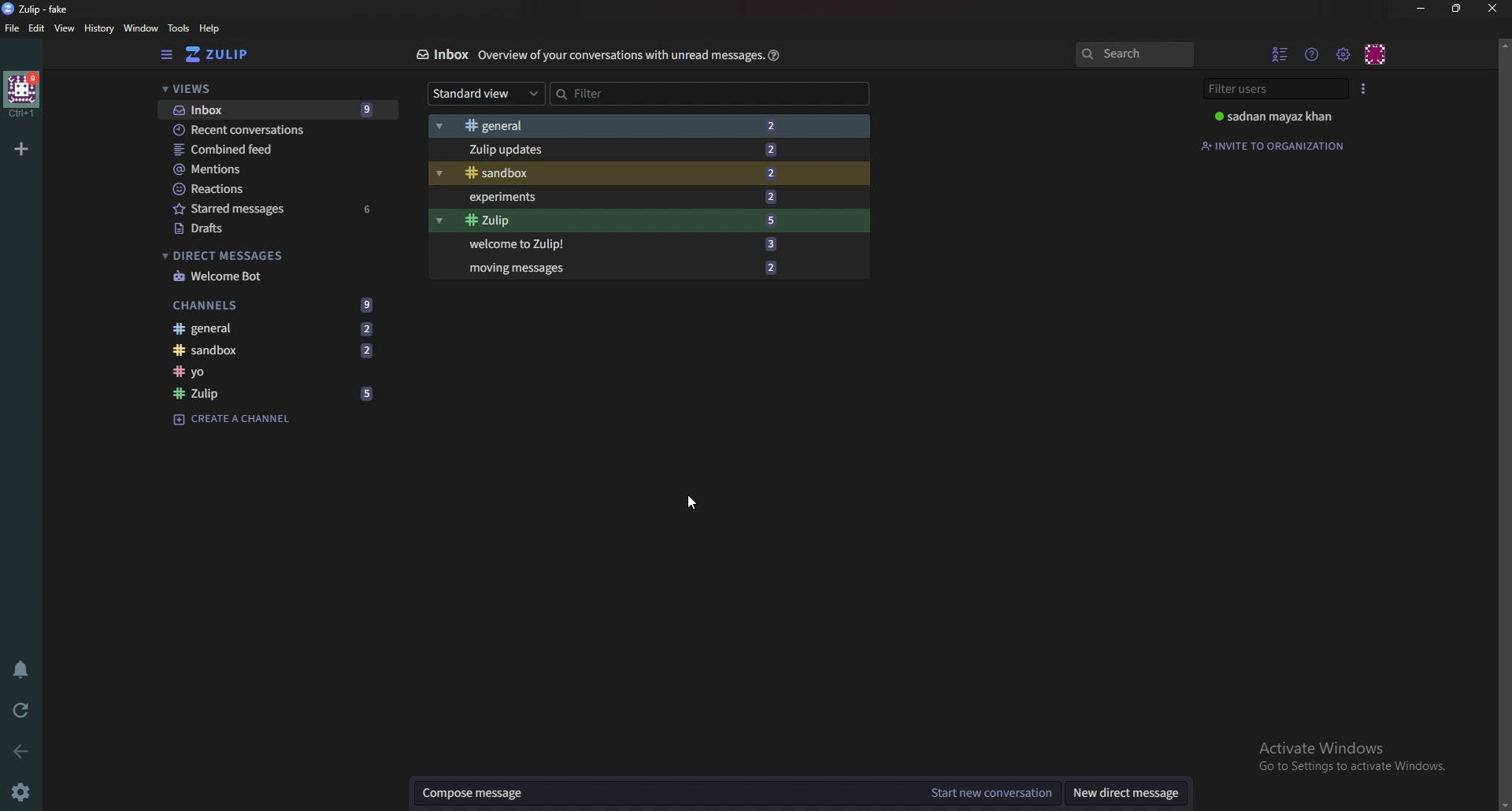  What do you see at coordinates (211, 29) in the screenshot?
I see `Help` at bounding box center [211, 29].